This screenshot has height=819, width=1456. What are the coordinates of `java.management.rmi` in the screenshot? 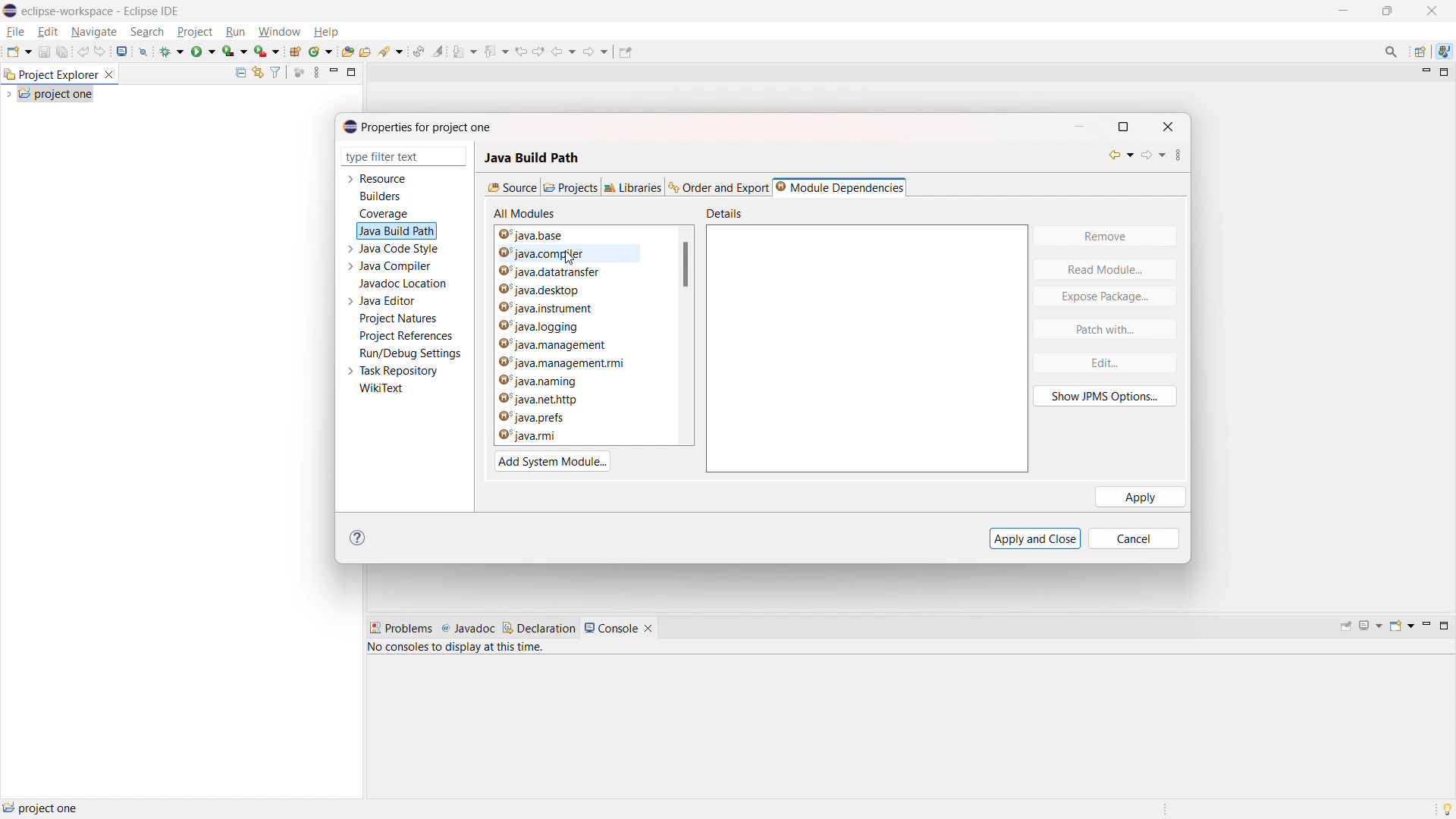 It's located at (568, 365).